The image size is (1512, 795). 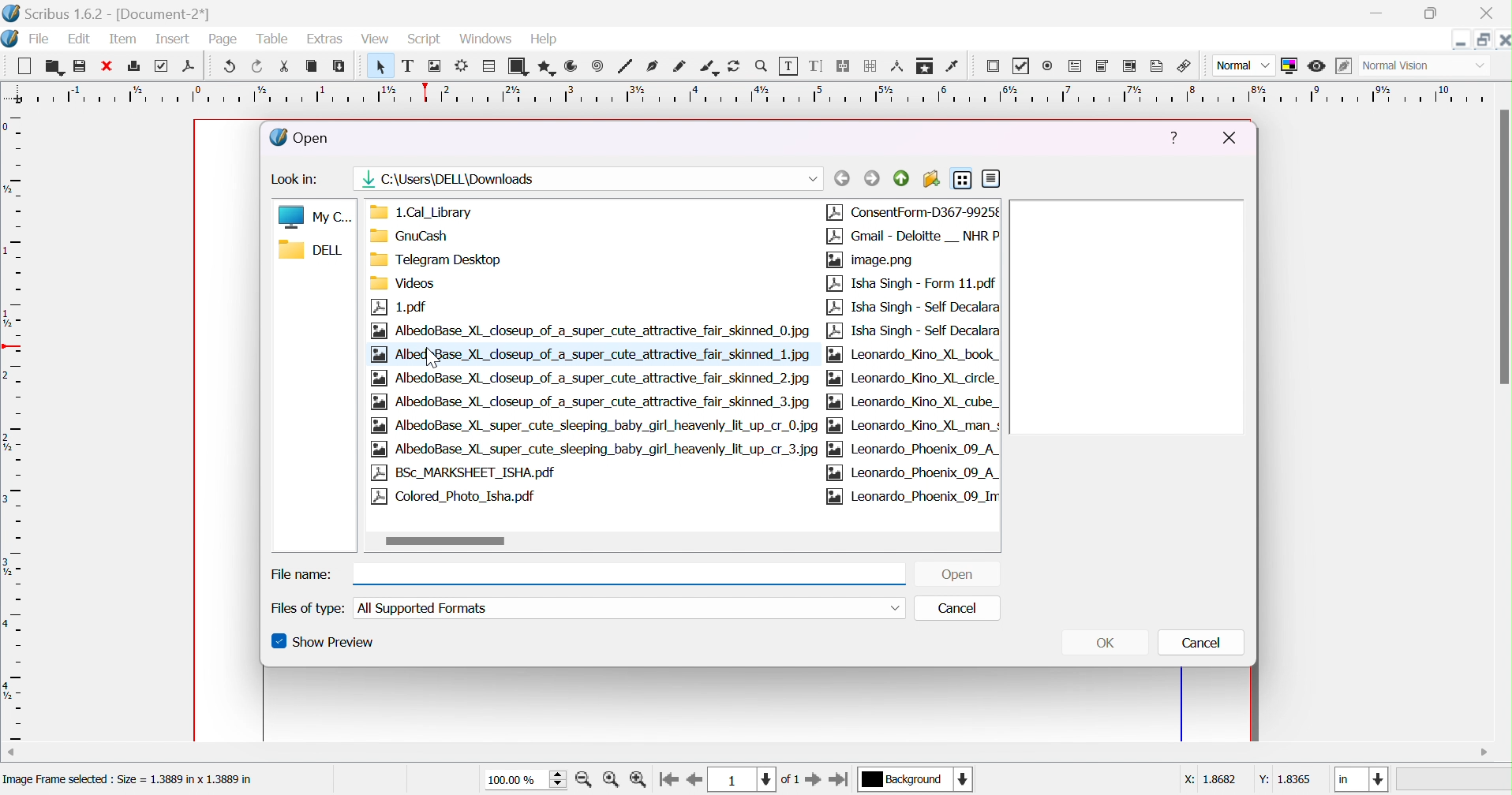 I want to click on  Leonardo_Kino_XL_man_s, so click(x=915, y=427).